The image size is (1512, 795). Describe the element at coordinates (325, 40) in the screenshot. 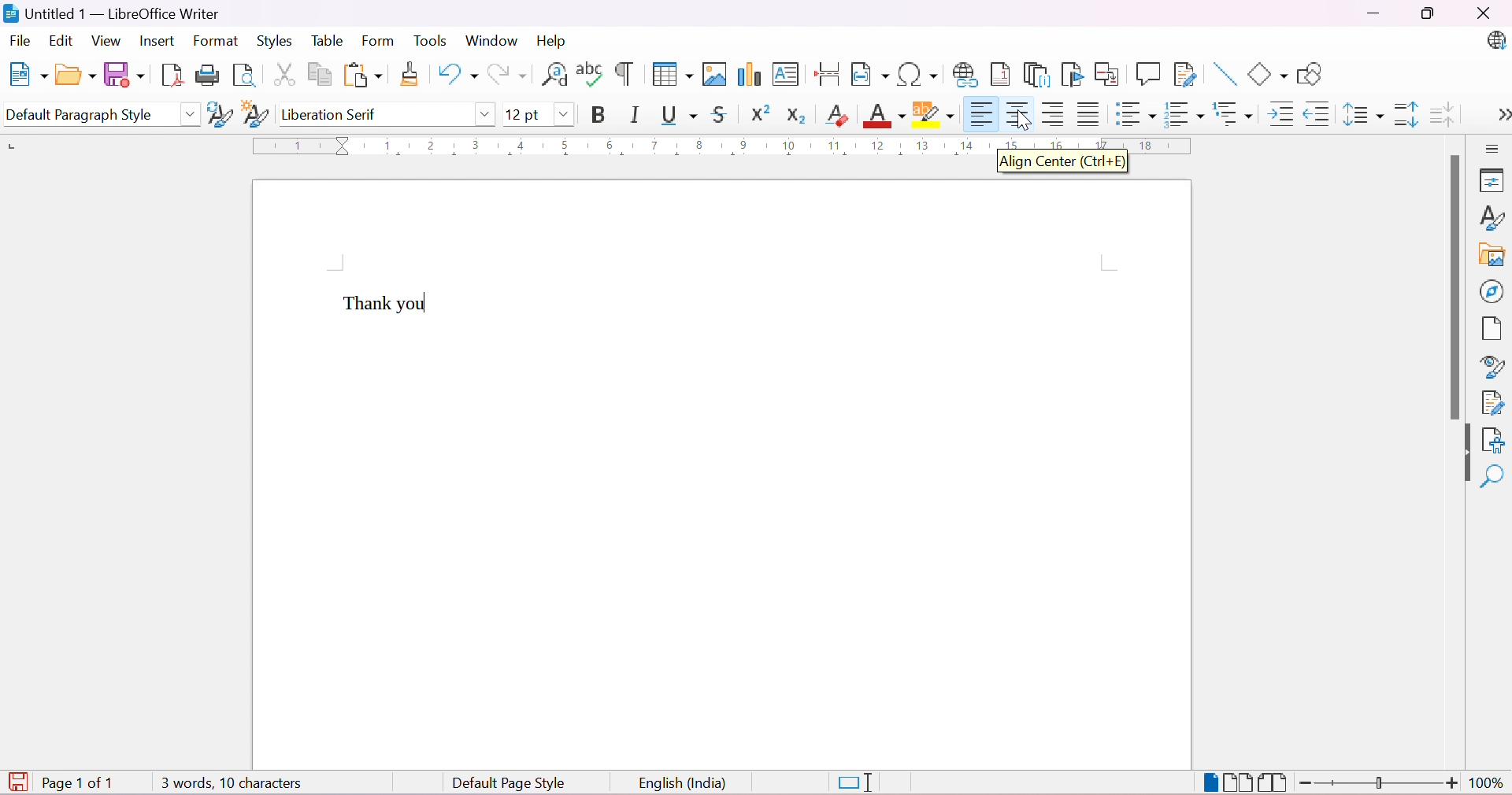

I see `Table` at that location.